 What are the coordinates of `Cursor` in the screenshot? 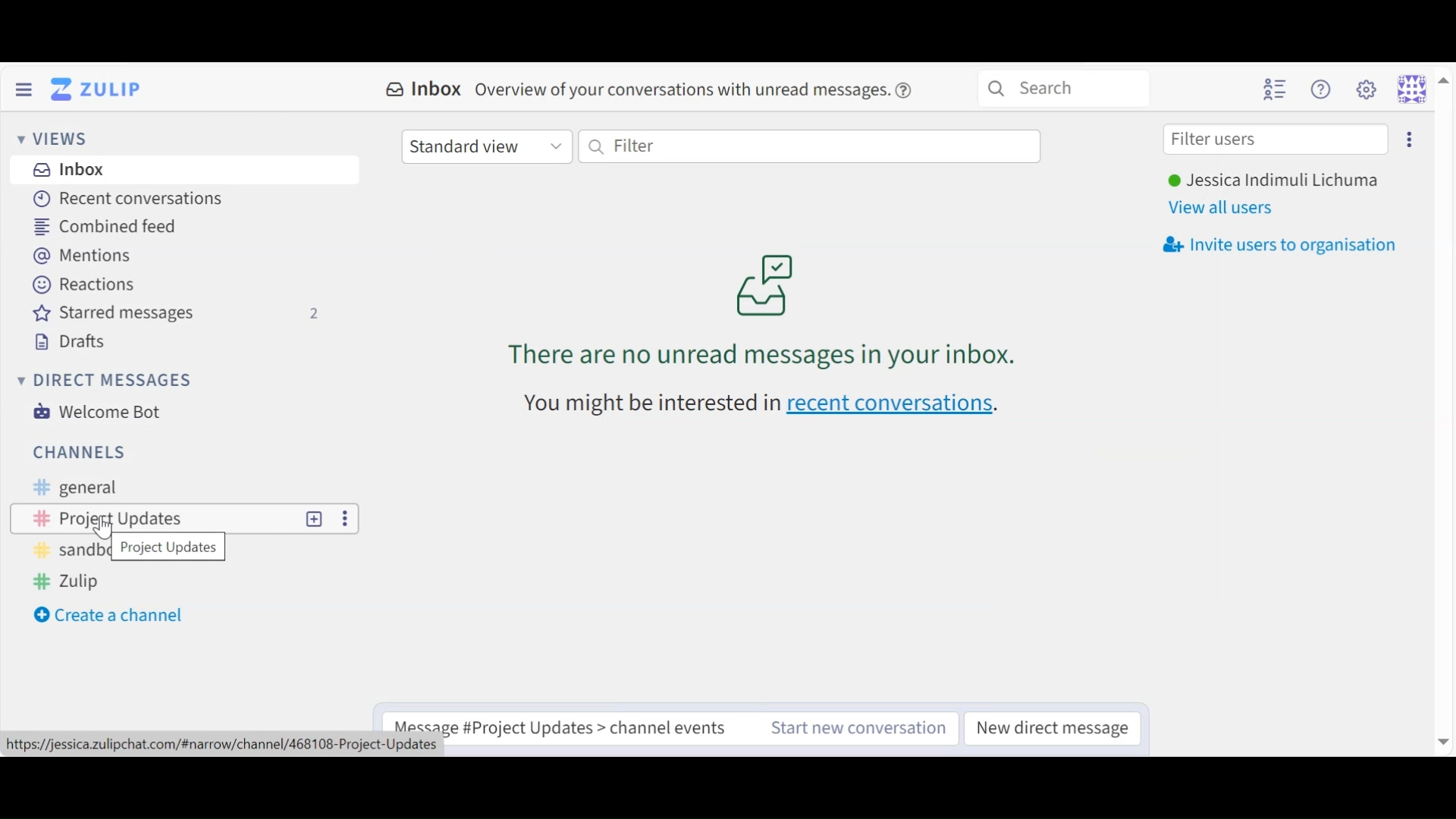 It's located at (105, 529).